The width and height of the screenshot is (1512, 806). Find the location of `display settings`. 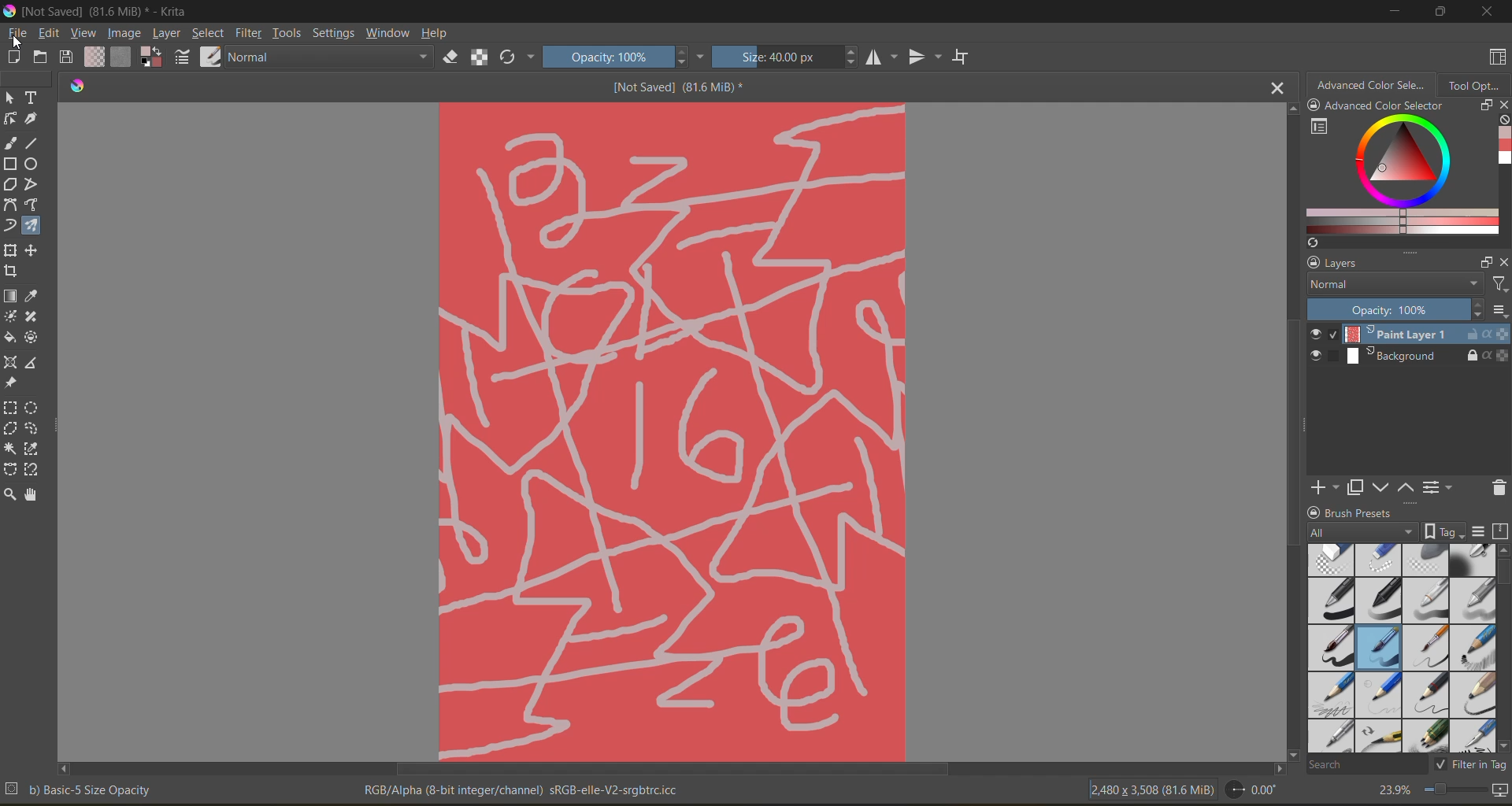

display settings is located at coordinates (1478, 531).